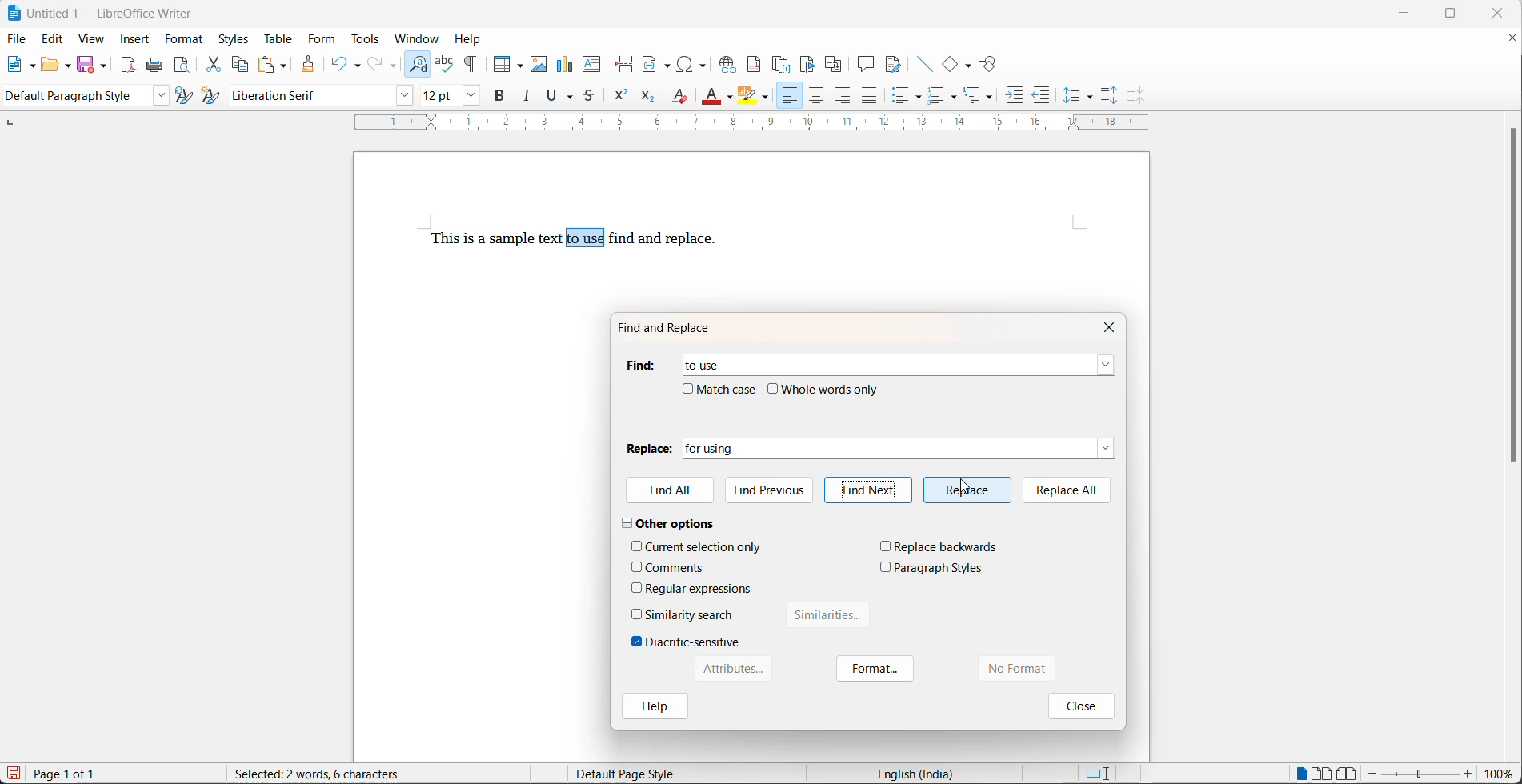 The width and height of the screenshot is (1522, 784). Describe the element at coordinates (185, 96) in the screenshot. I see `update selected style` at that location.